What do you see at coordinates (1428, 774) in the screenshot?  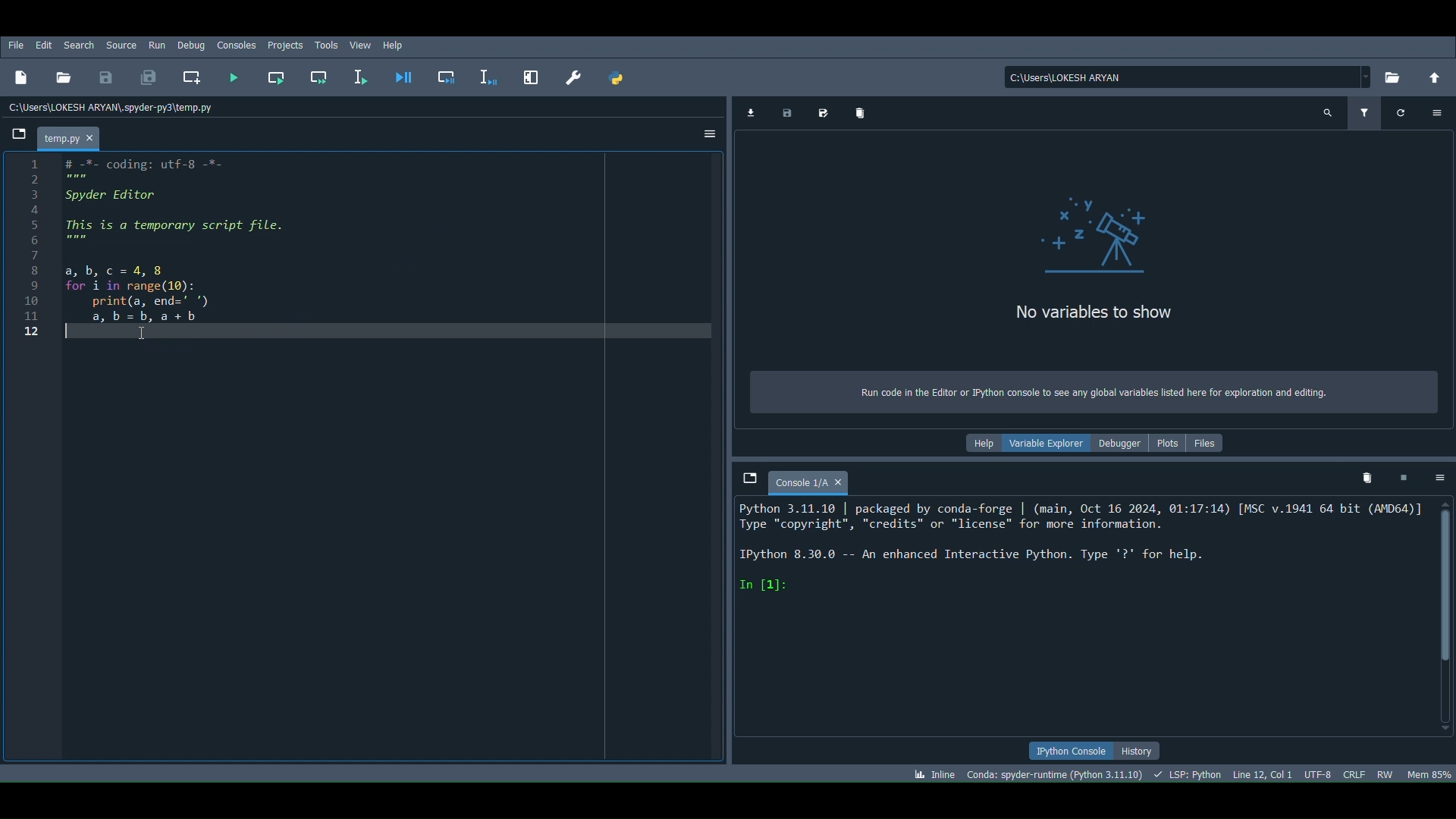 I see `Global memory usage` at bounding box center [1428, 774].